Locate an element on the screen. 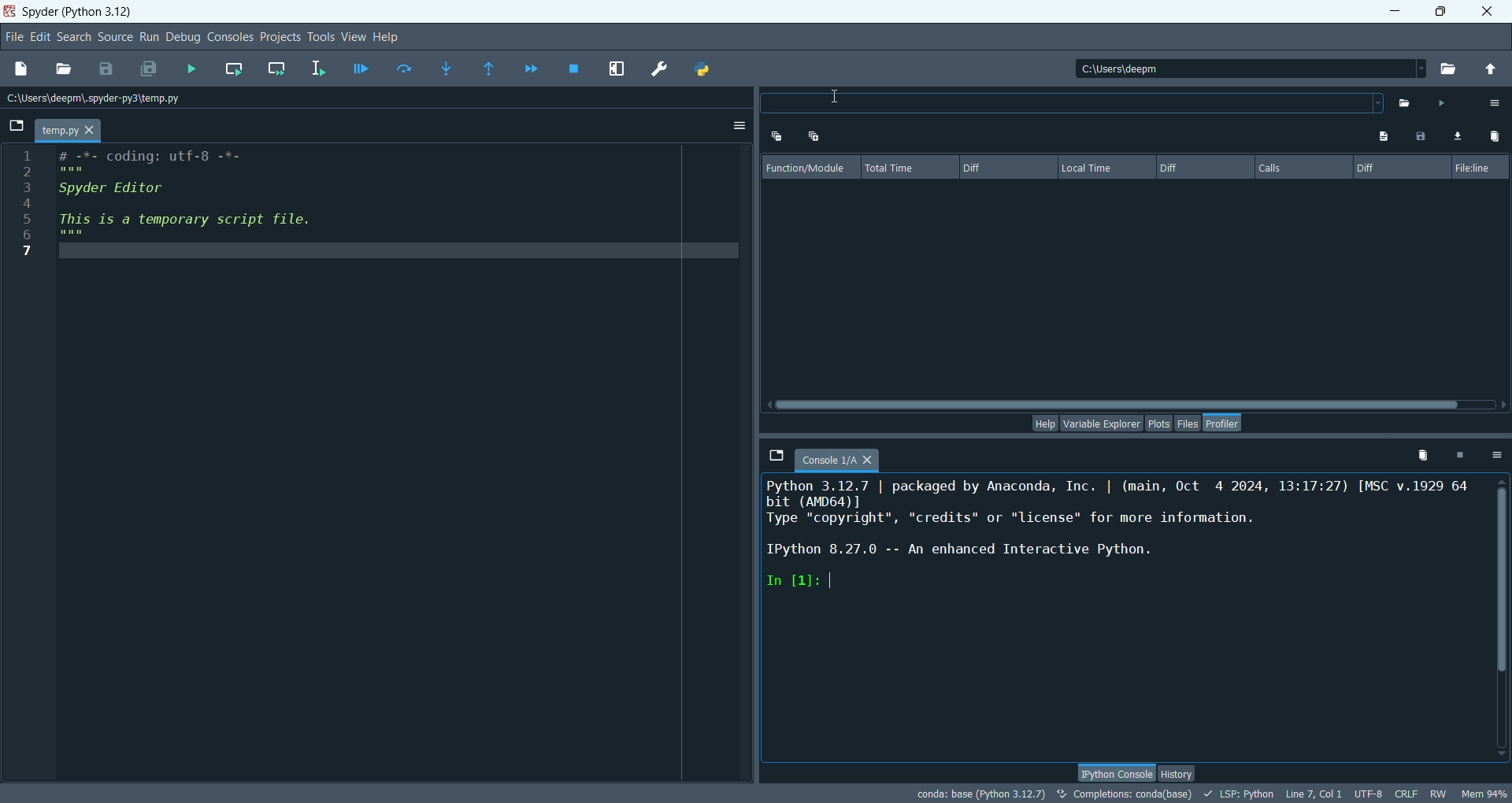  run files is located at coordinates (198, 71).